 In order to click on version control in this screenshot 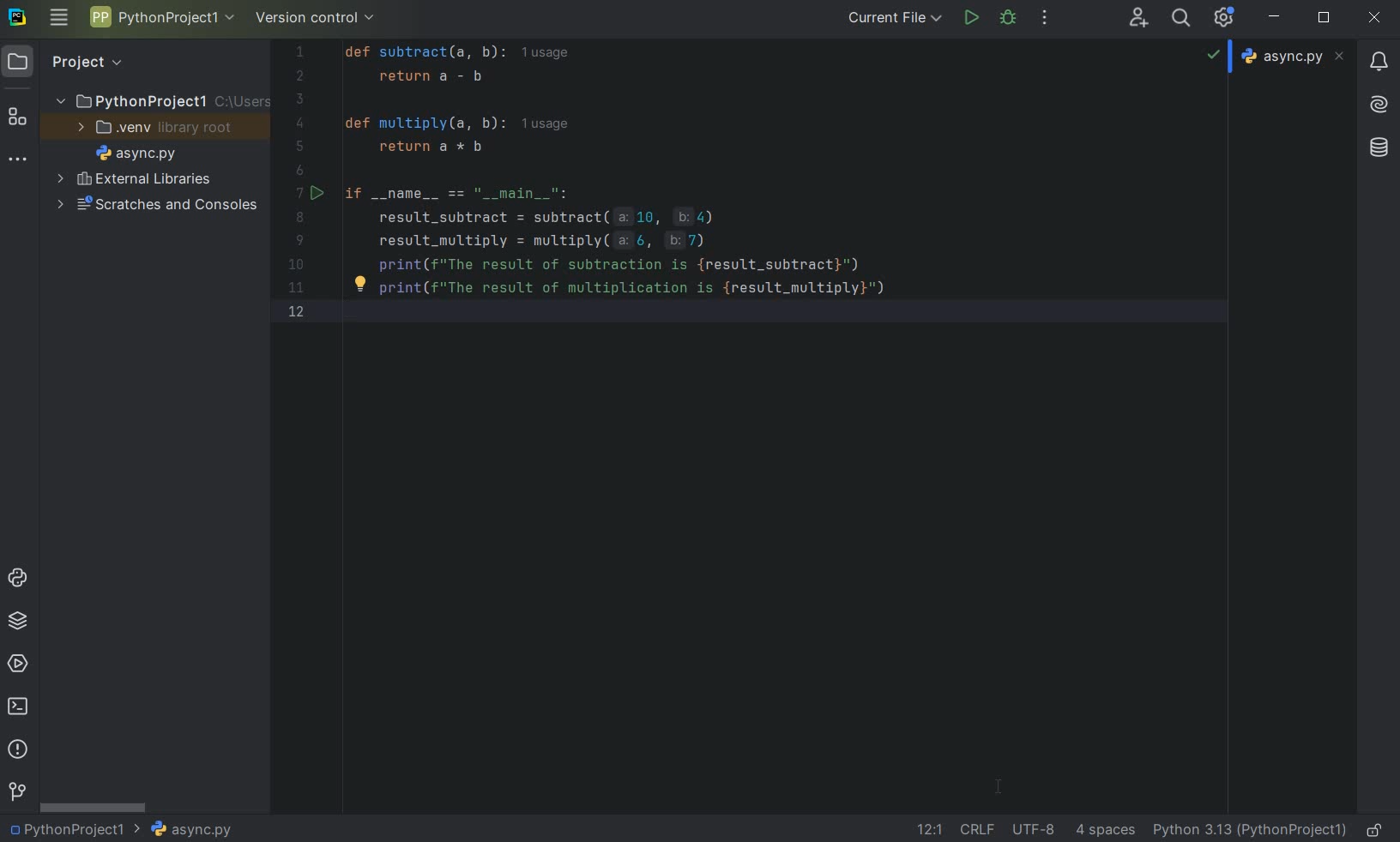, I will do `click(316, 17)`.